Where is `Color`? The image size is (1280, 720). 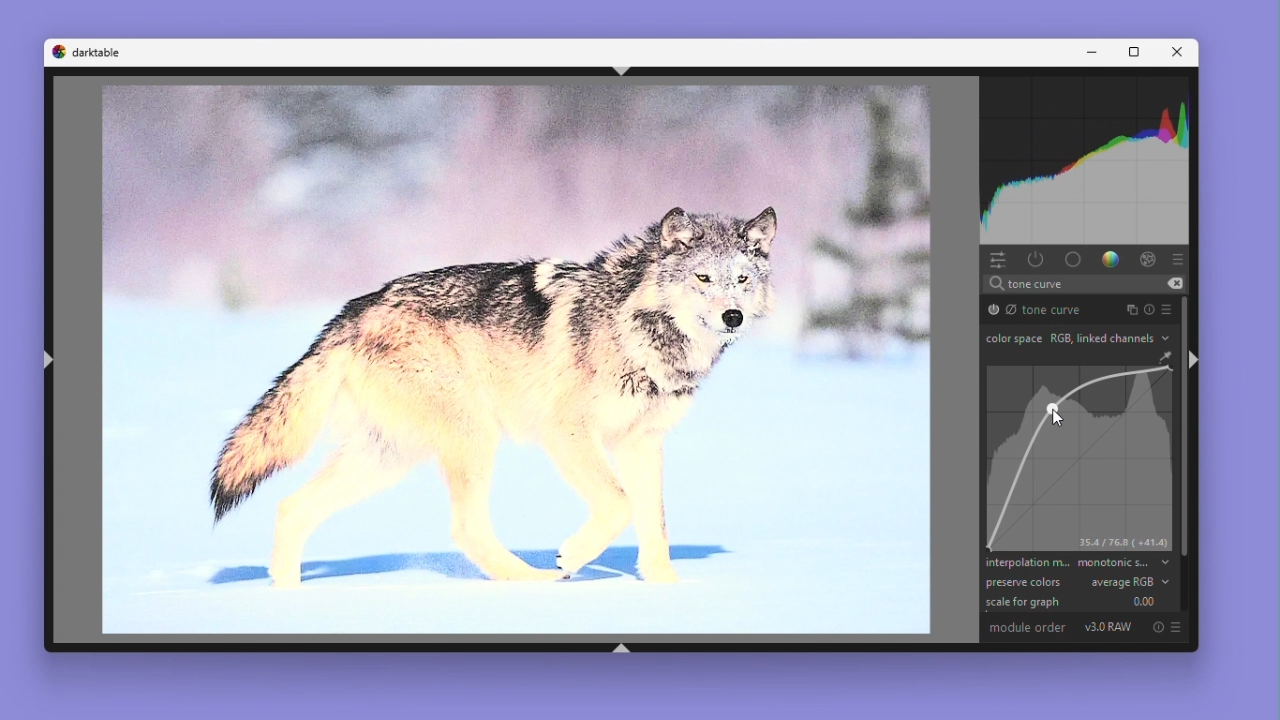 Color is located at coordinates (1111, 261).